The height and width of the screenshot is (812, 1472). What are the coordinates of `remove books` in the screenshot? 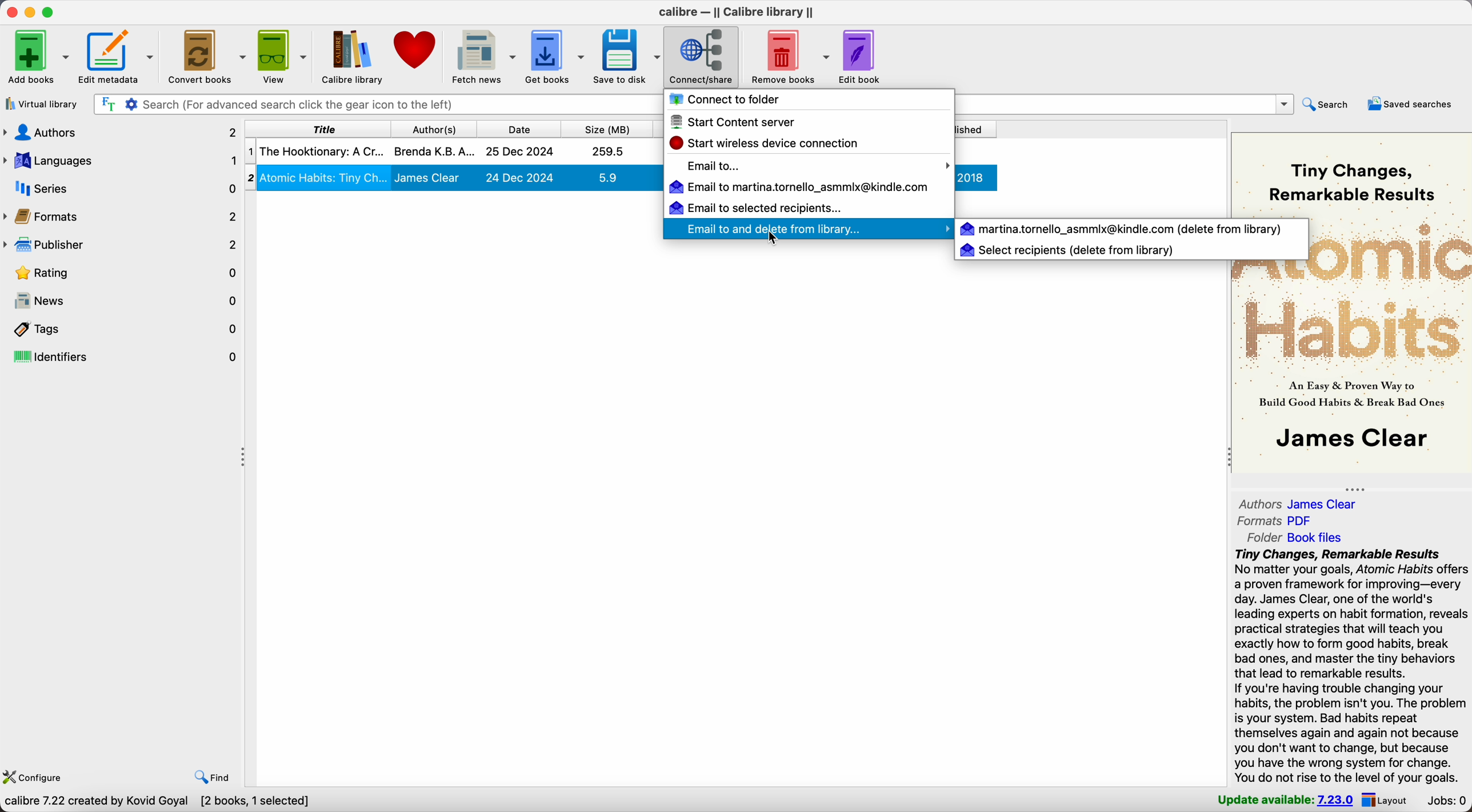 It's located at (787, 55).